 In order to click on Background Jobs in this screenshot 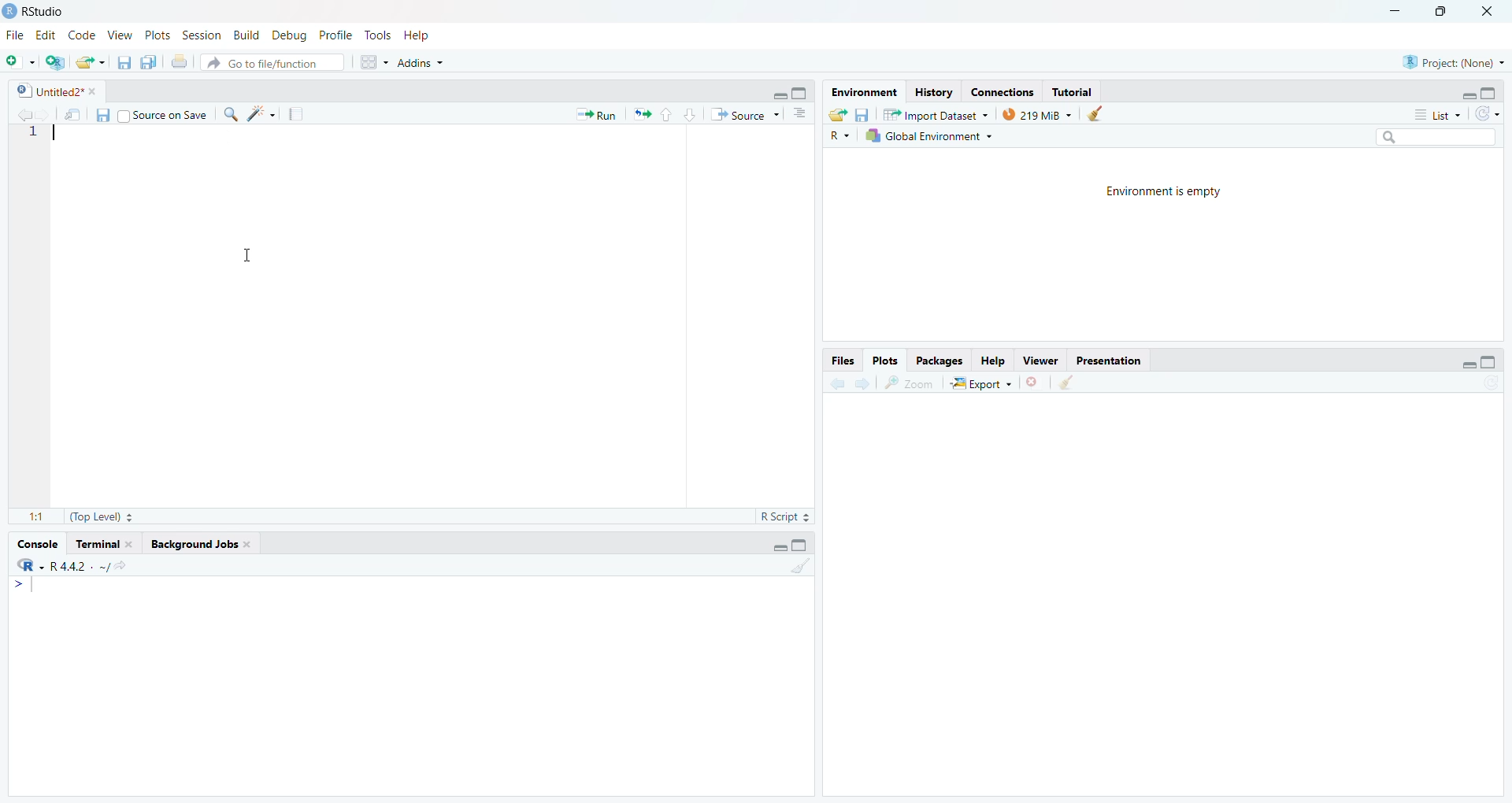, I will do `click(199, 545)`.